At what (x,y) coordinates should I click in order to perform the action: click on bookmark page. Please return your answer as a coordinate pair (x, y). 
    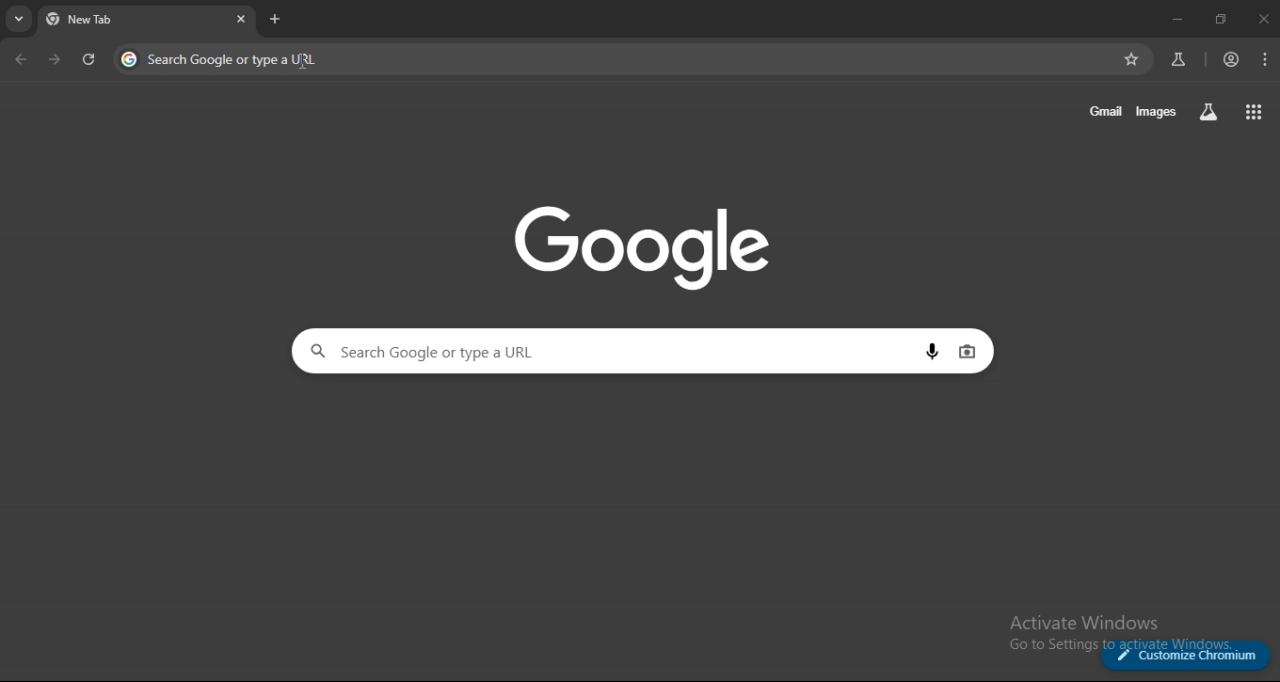
    Looking at the image, I should click on (1132, 58).